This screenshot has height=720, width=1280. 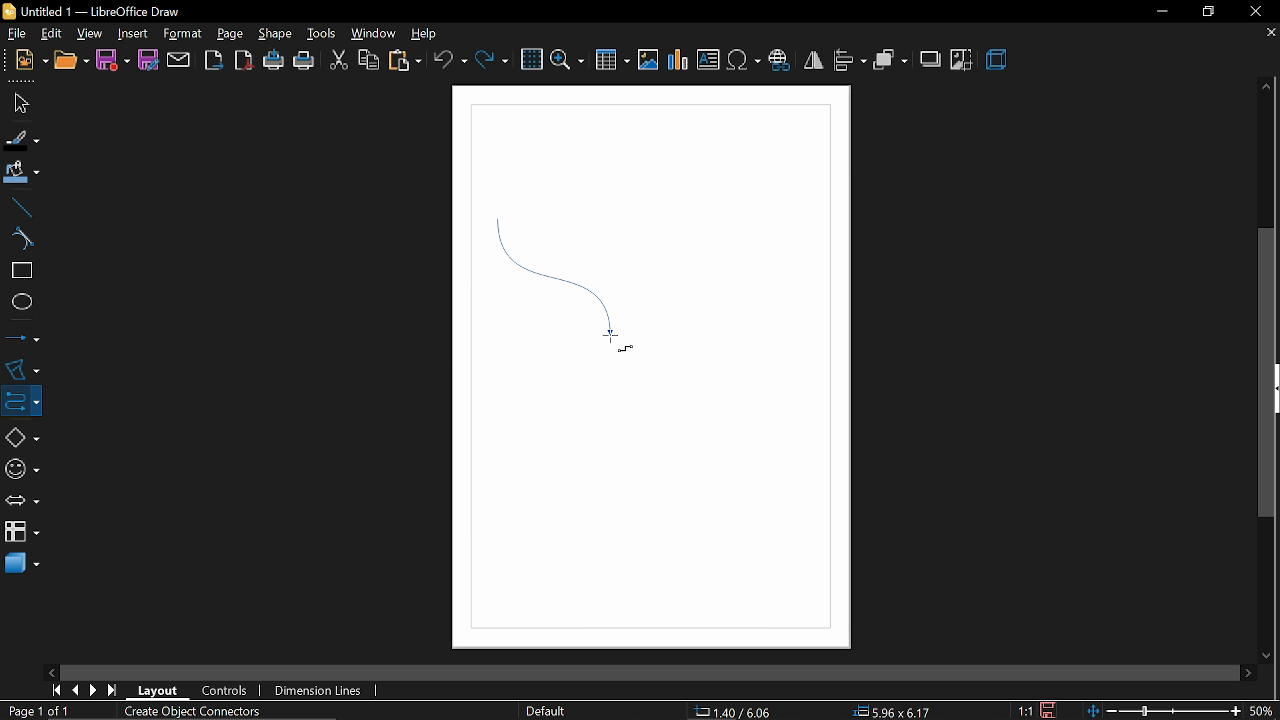 I want to click on page, so click(x=230, y=31).